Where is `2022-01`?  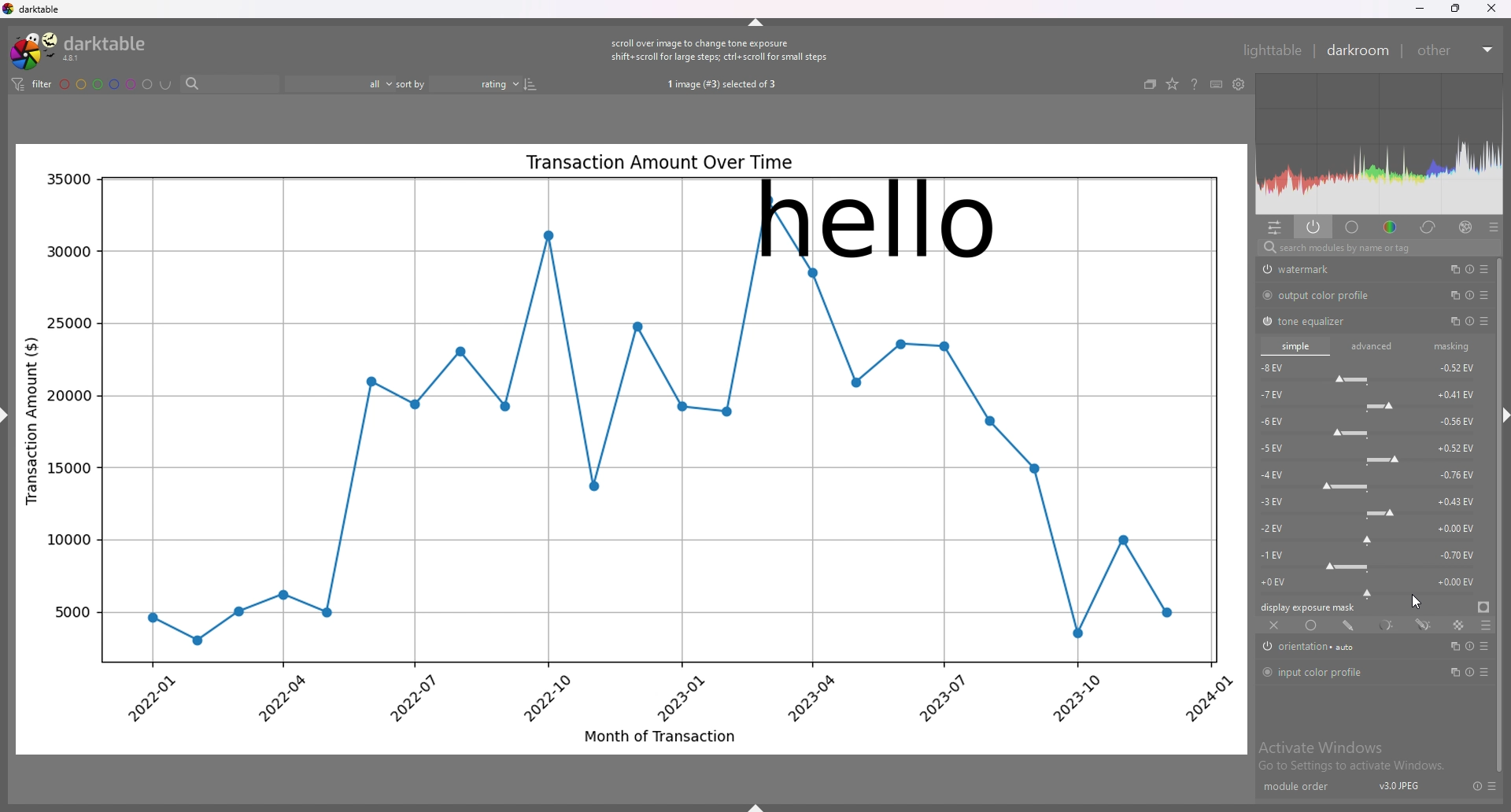
2022-01 is located at coordinates (157, 699).